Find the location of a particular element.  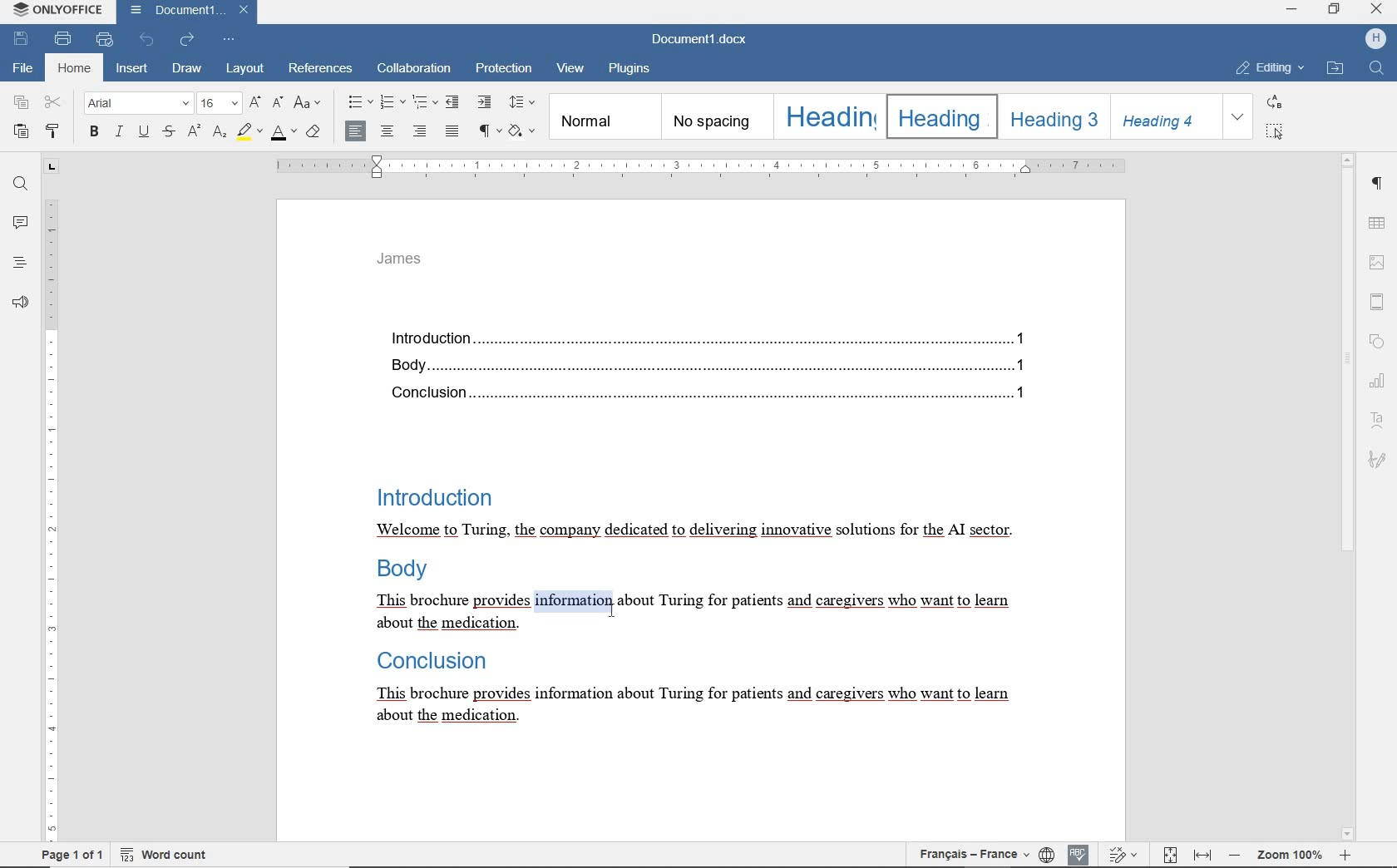

HEADING 2 is located at coordinates (940, 116).